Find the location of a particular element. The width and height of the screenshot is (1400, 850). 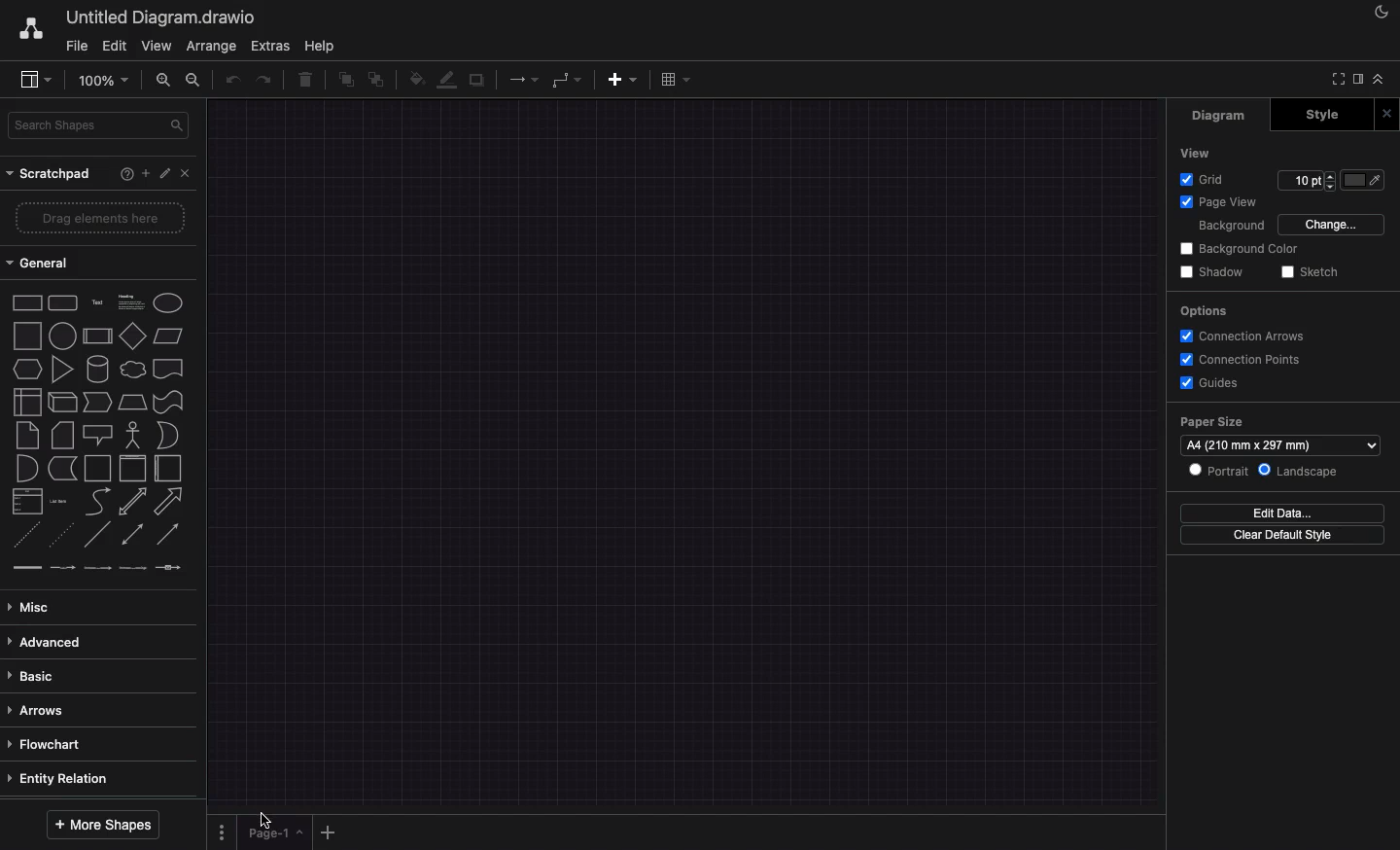

full screen is located at coordinates (1339, 79).